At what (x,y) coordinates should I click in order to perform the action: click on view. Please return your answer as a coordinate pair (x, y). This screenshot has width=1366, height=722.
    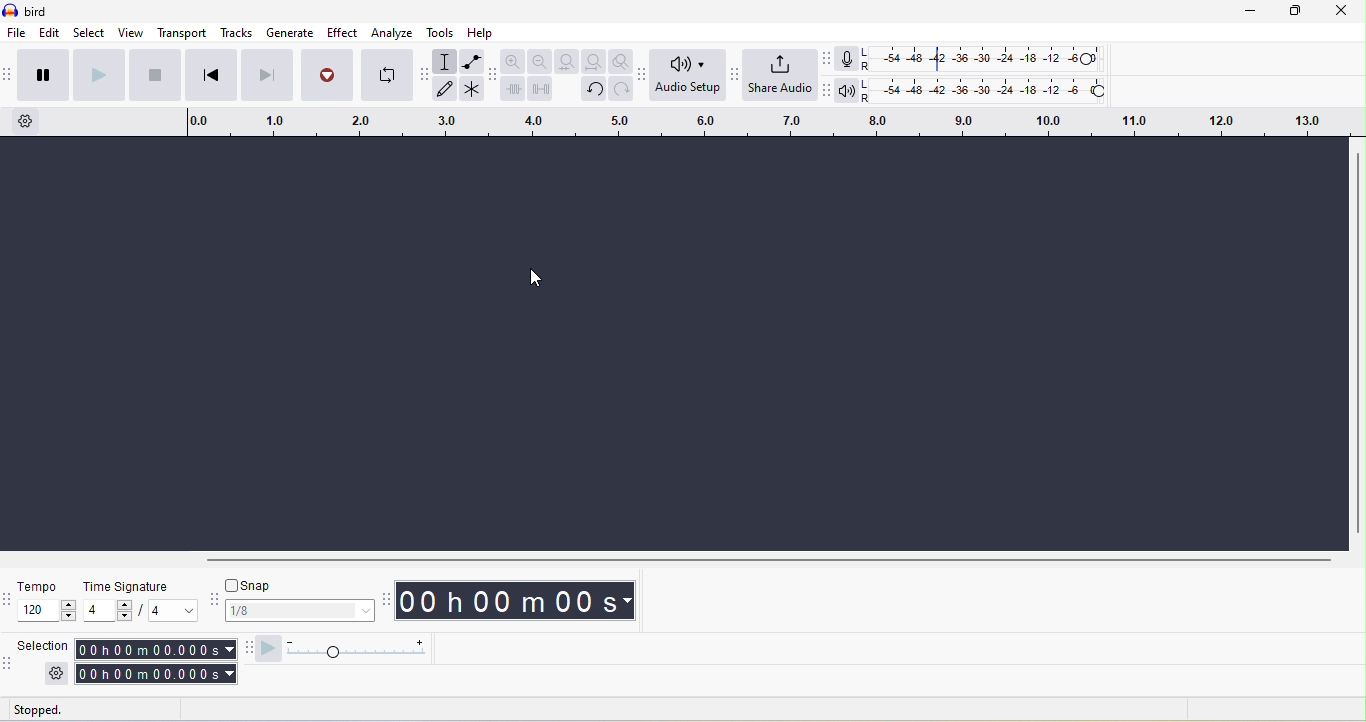
    Looking at the image, I should click on (135, 36).